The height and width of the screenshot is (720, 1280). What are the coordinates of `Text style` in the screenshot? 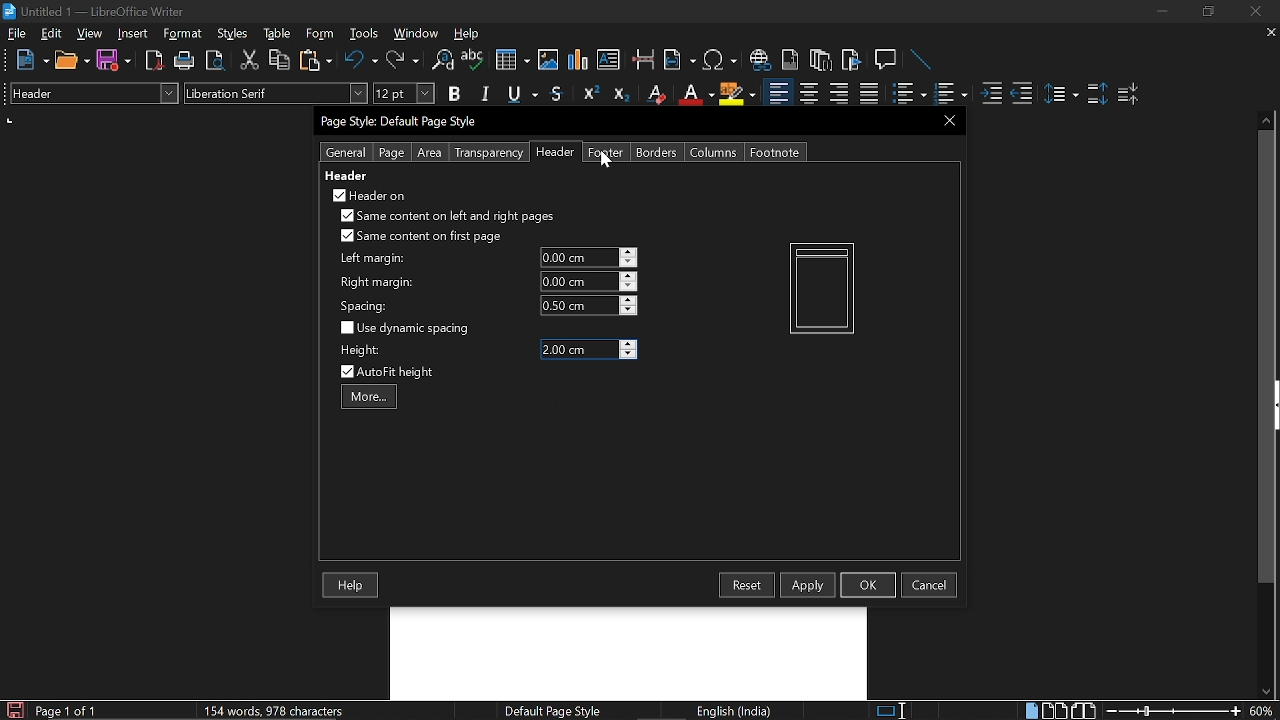 It's located at (277, 93).